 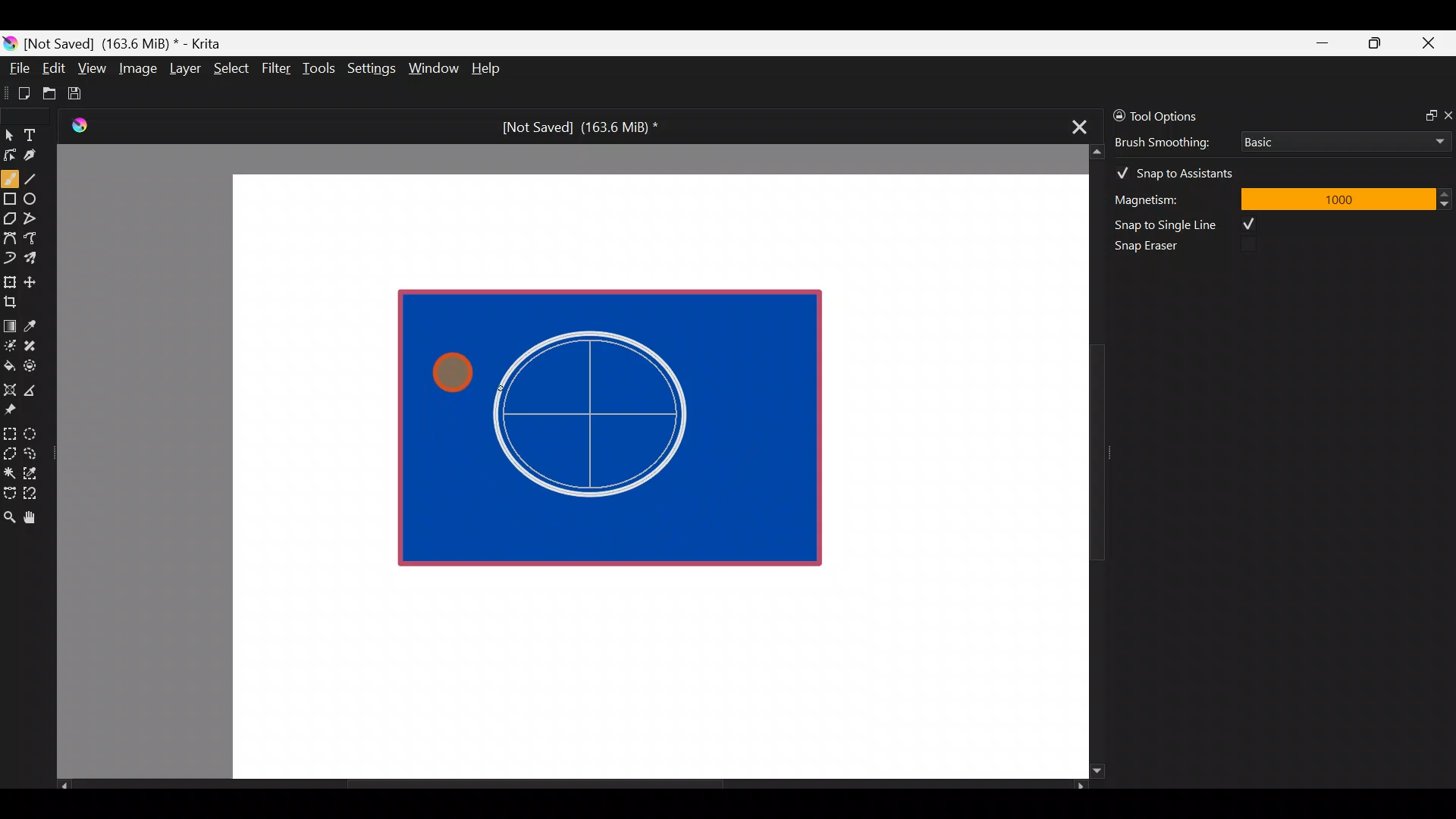 What do you see at coordinates (10, 344) in the screenshot?
I see `Colourise mask tool` at bounding box center [10, 344].